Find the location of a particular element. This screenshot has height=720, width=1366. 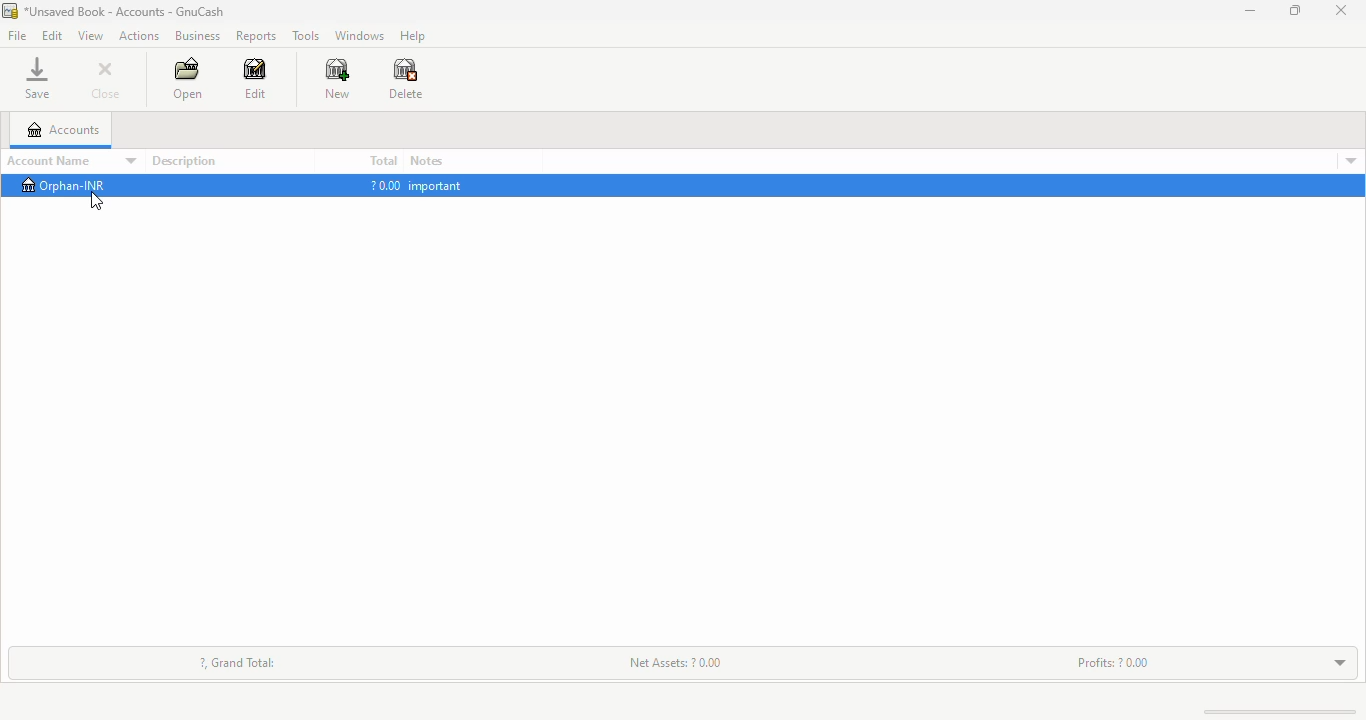

edit is located at coordinates (53, 35).